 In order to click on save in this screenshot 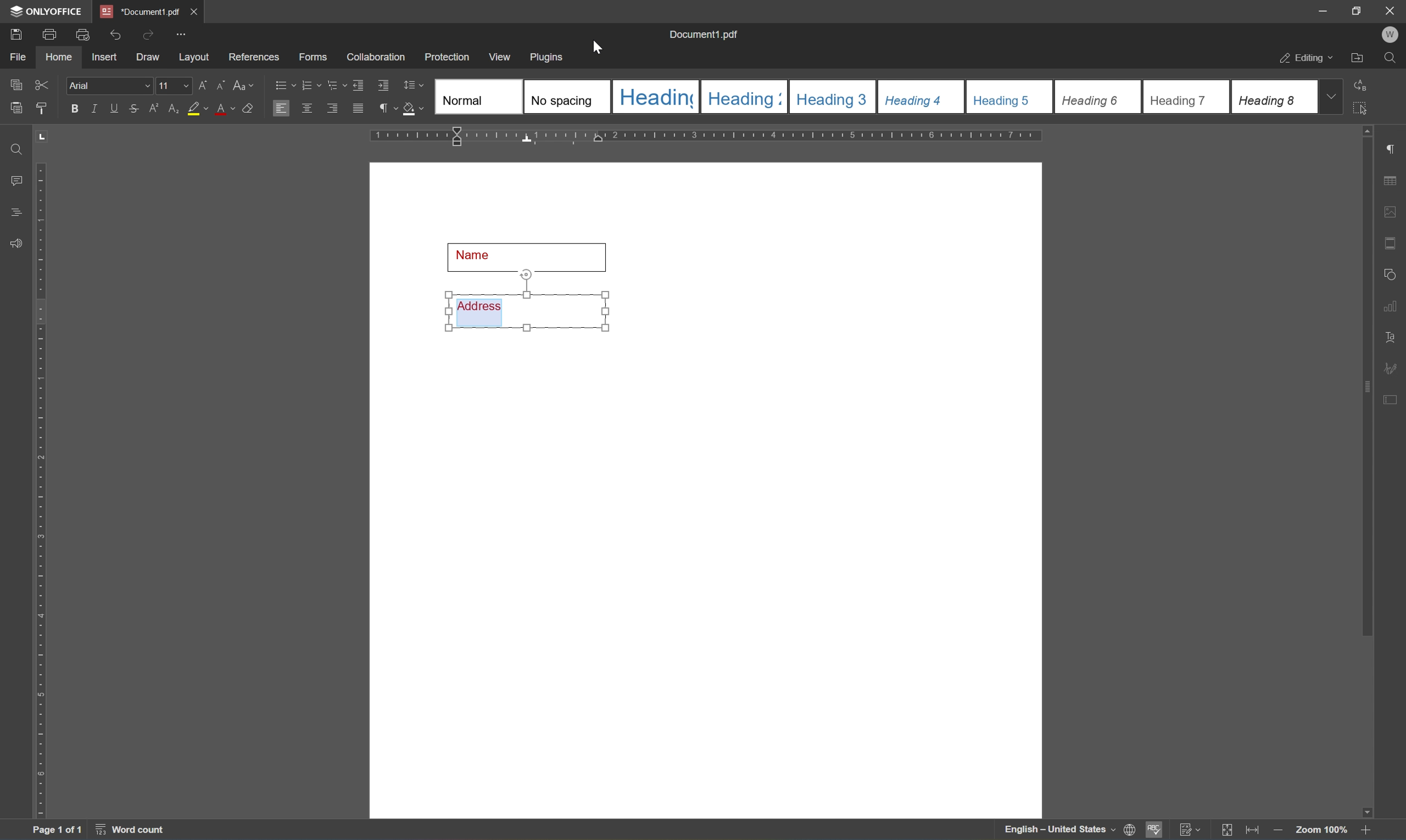, I will do `click(16, 33)`.